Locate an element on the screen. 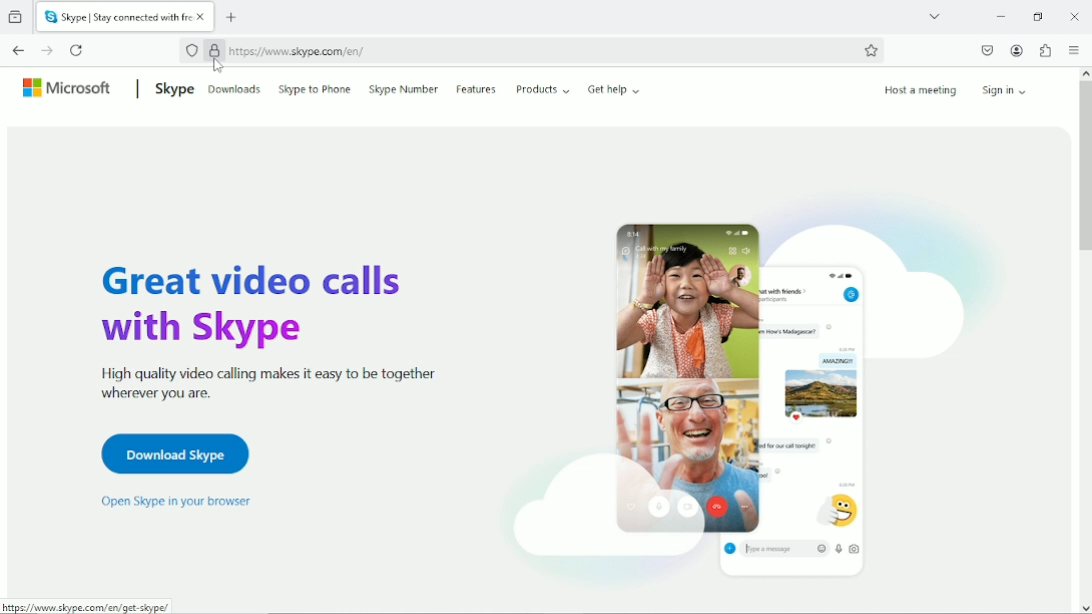 The image size is (1092, 614). close tab is located at coordinates (203, 18).